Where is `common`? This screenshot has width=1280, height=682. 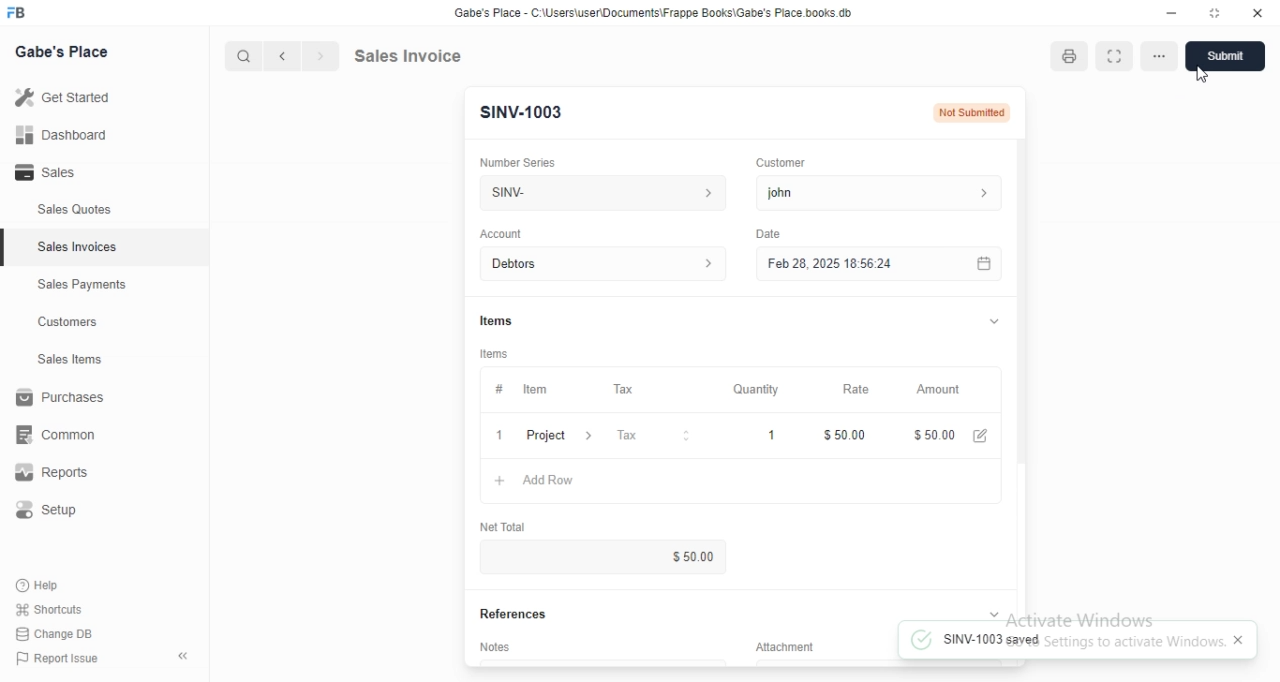 common is located at coordinates (62, 434).